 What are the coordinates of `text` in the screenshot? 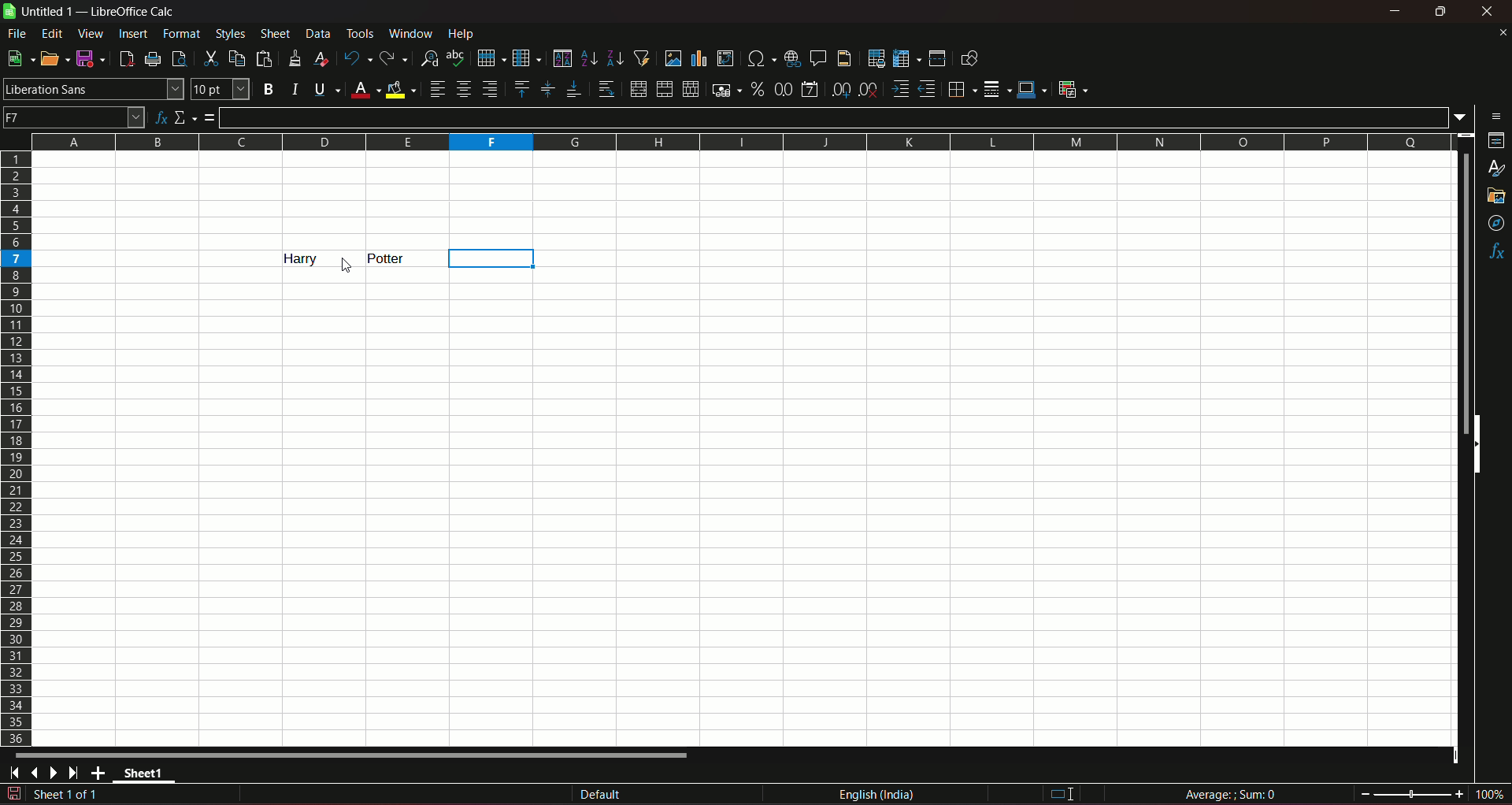 It's located at (292, 258).